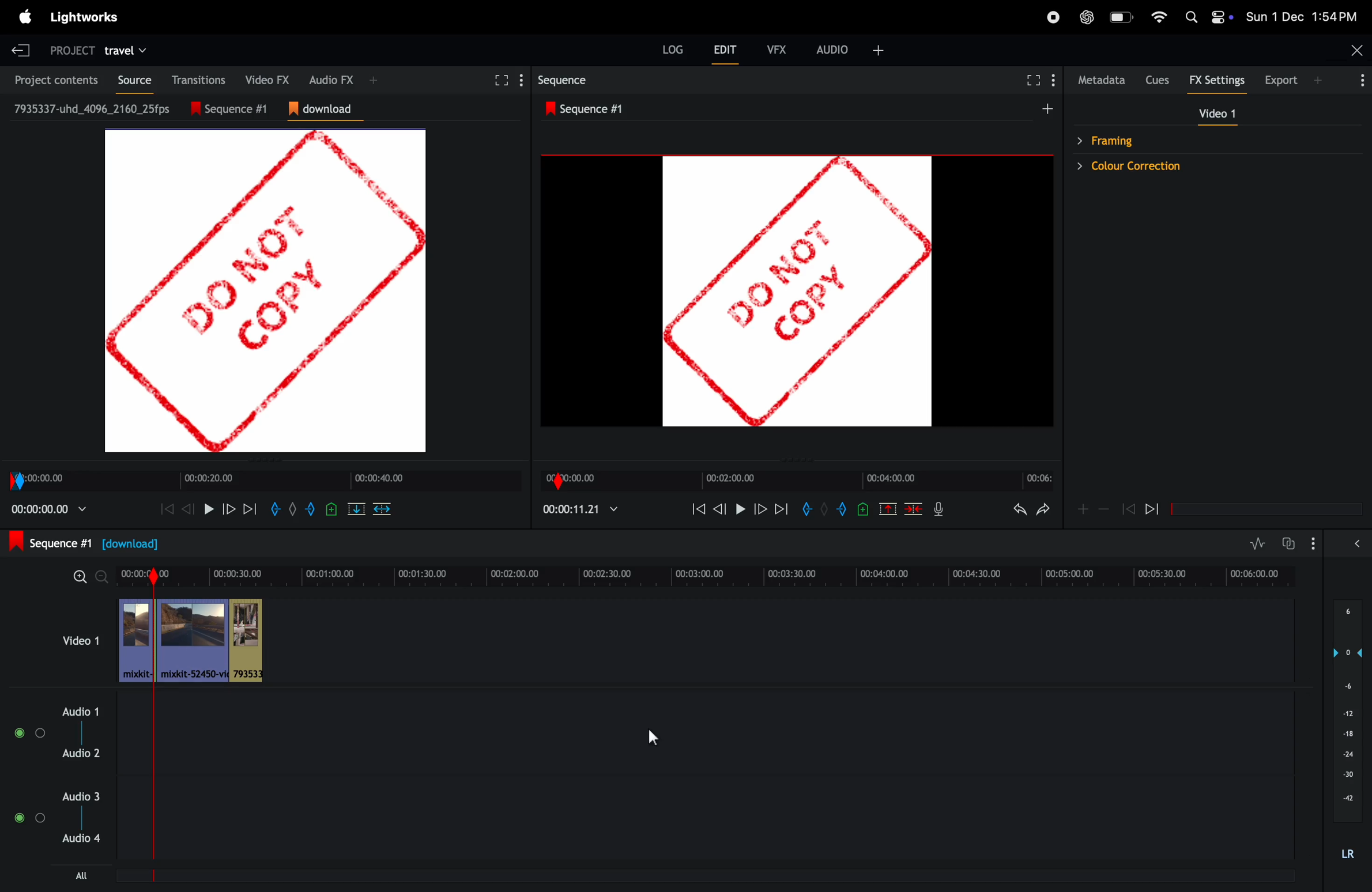 The height and width of the screenshot is (892, 1372). I want to click on chatgpt, so click(1087, 17).